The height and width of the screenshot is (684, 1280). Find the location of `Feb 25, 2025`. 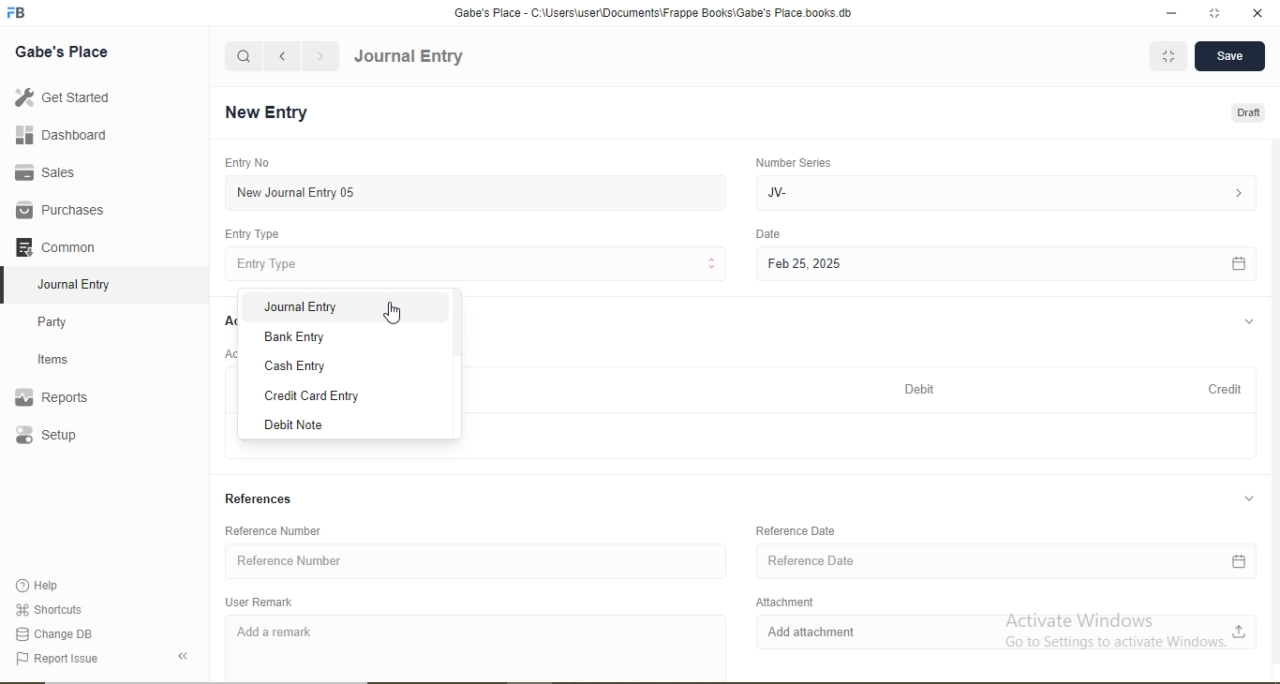

Feb 25, 2025 is located at coordinates (1005, 265).